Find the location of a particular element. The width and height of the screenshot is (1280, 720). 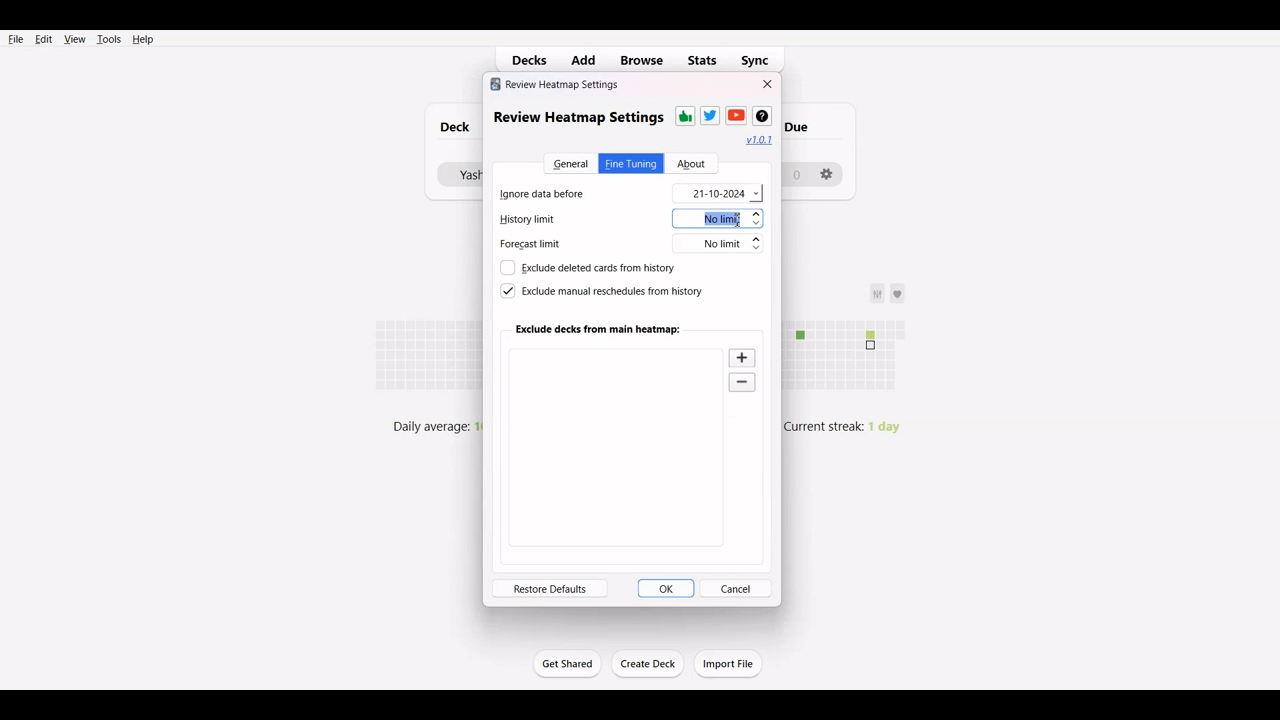

daily average is located at coordinates (426, 425).